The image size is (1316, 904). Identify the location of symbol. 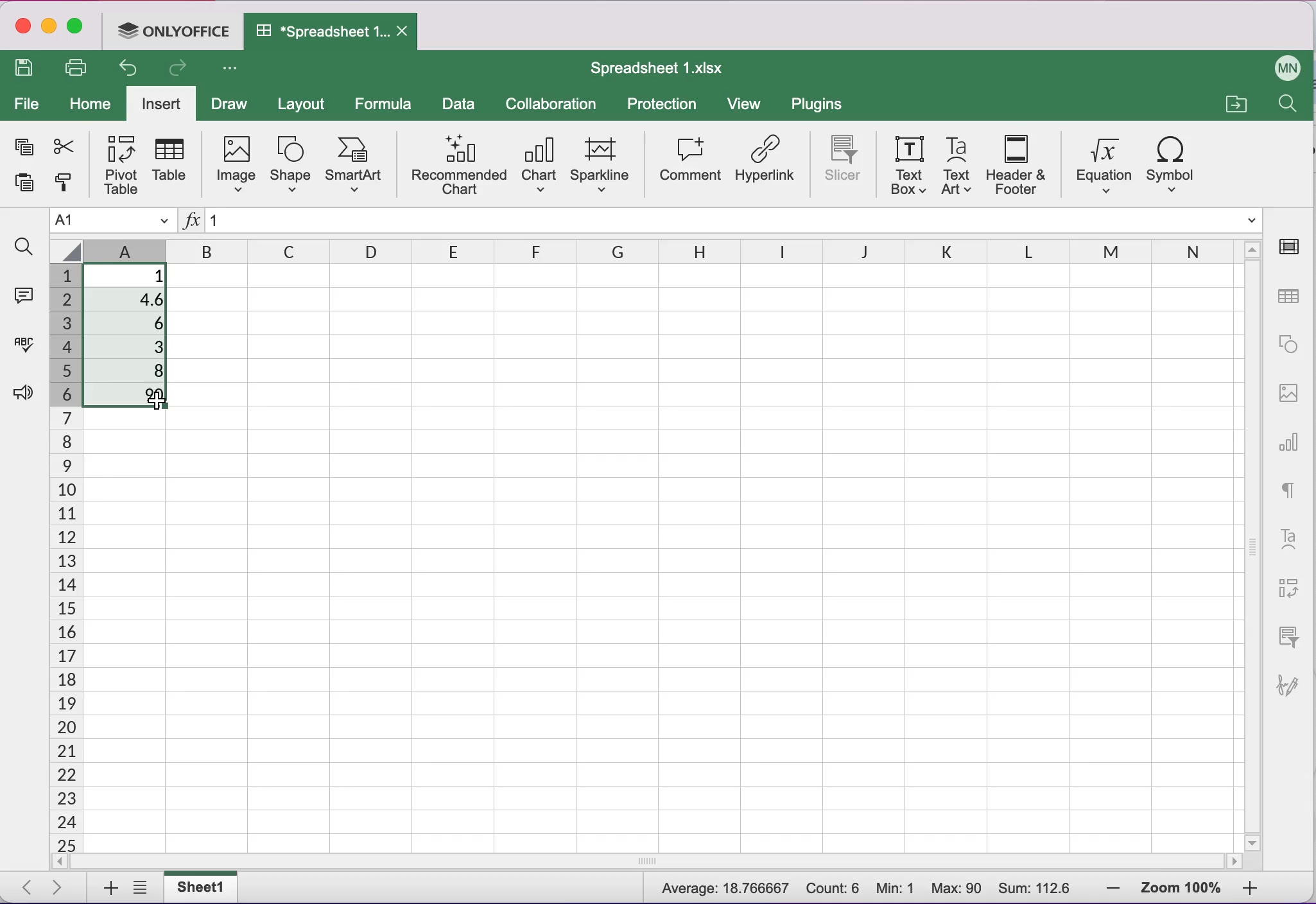
(1175, 164).